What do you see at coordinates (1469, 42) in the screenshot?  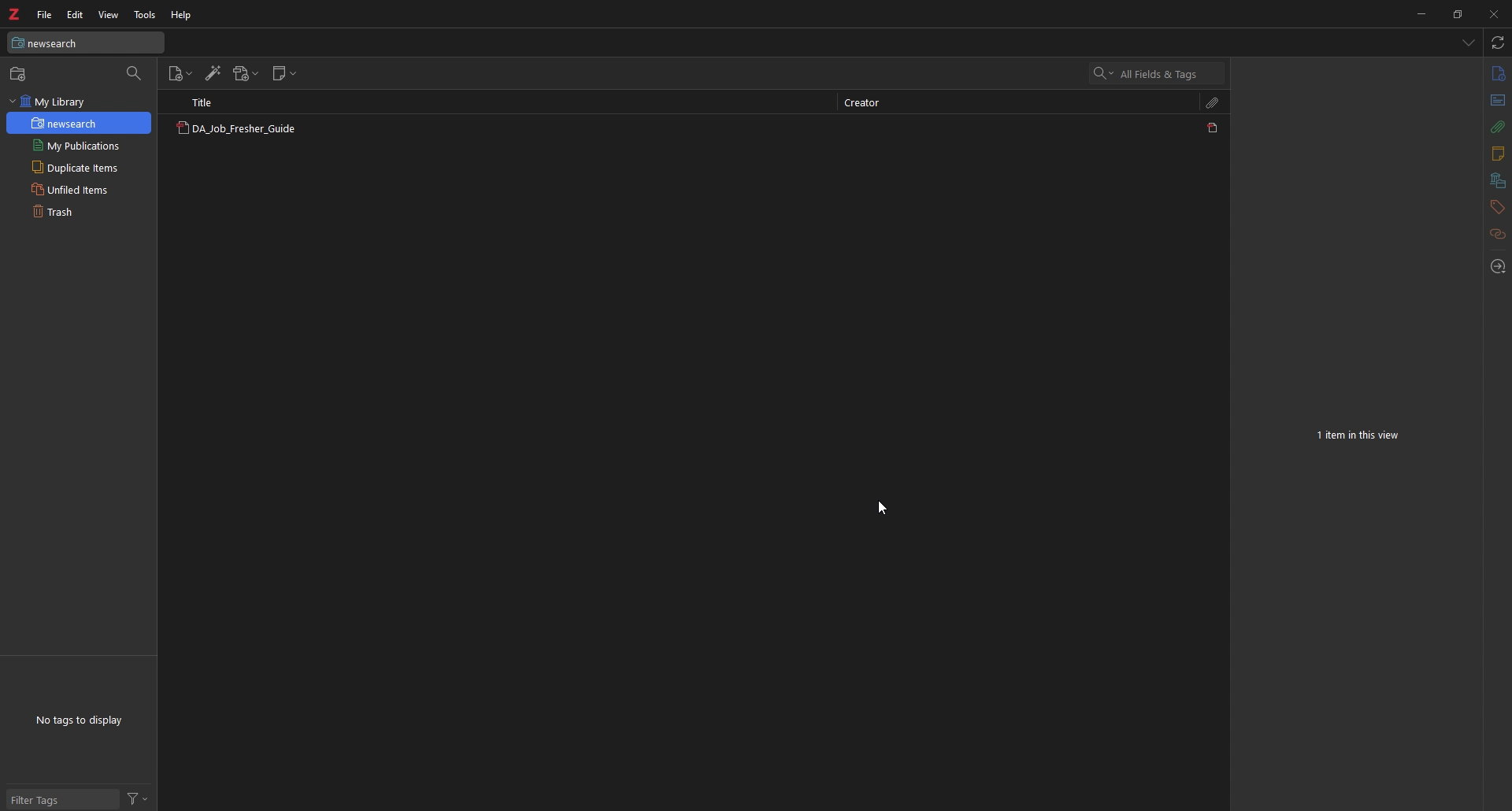 I see `list all items` at bounding box center [1469, 42].